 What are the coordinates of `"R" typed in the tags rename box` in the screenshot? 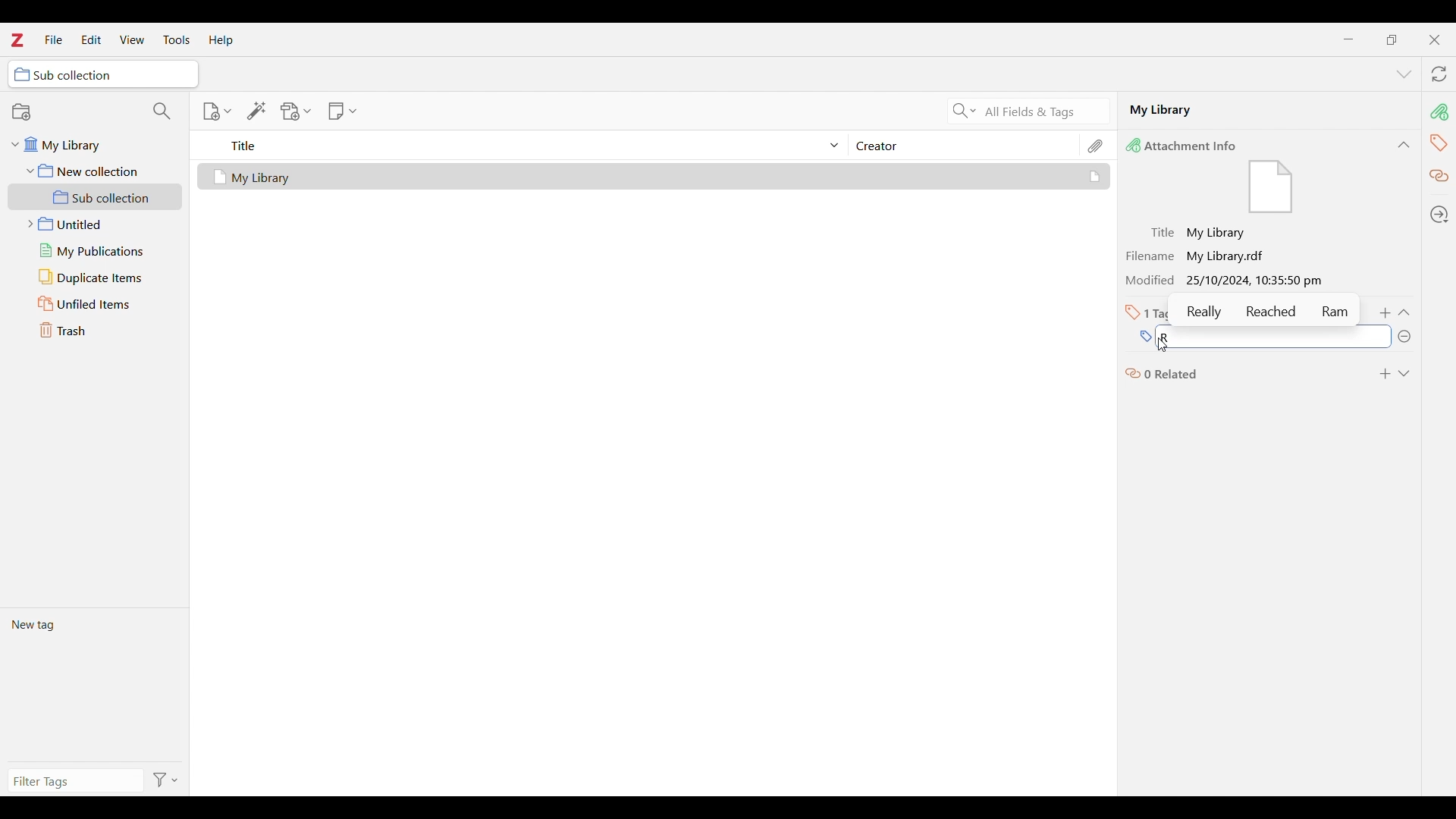 It's located at (1191, 337).